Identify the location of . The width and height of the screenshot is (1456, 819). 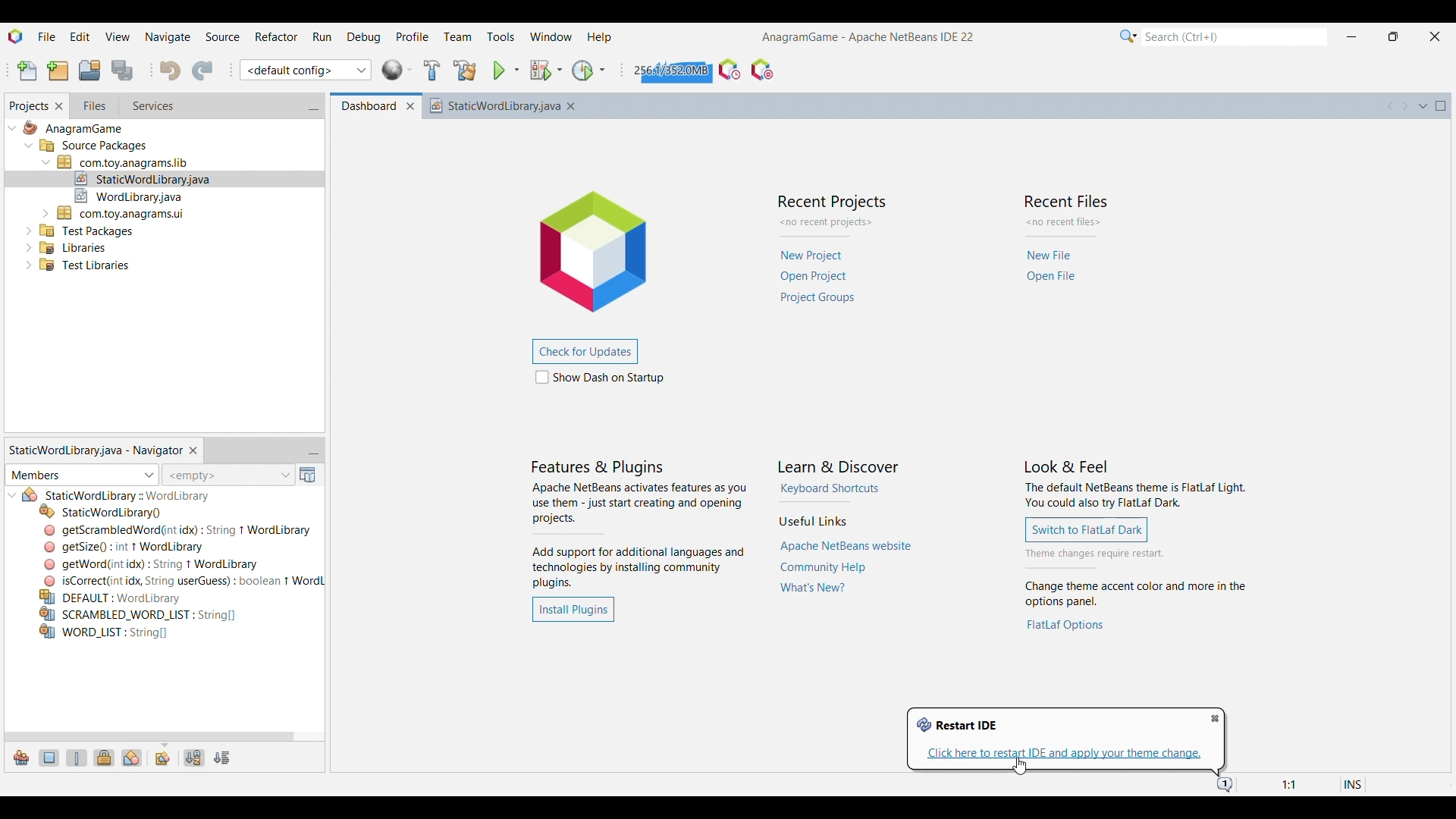
(127, 161).